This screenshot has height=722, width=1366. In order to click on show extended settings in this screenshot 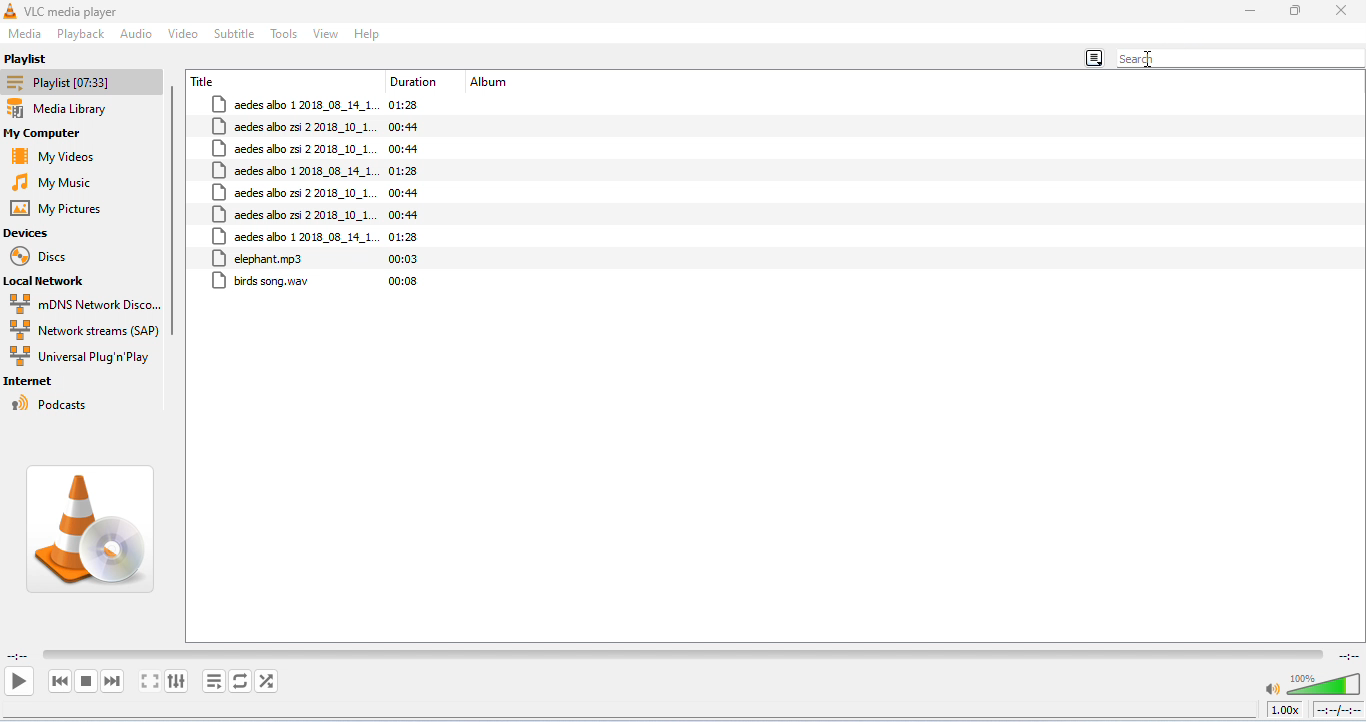, I will do `click(178, 682)`.